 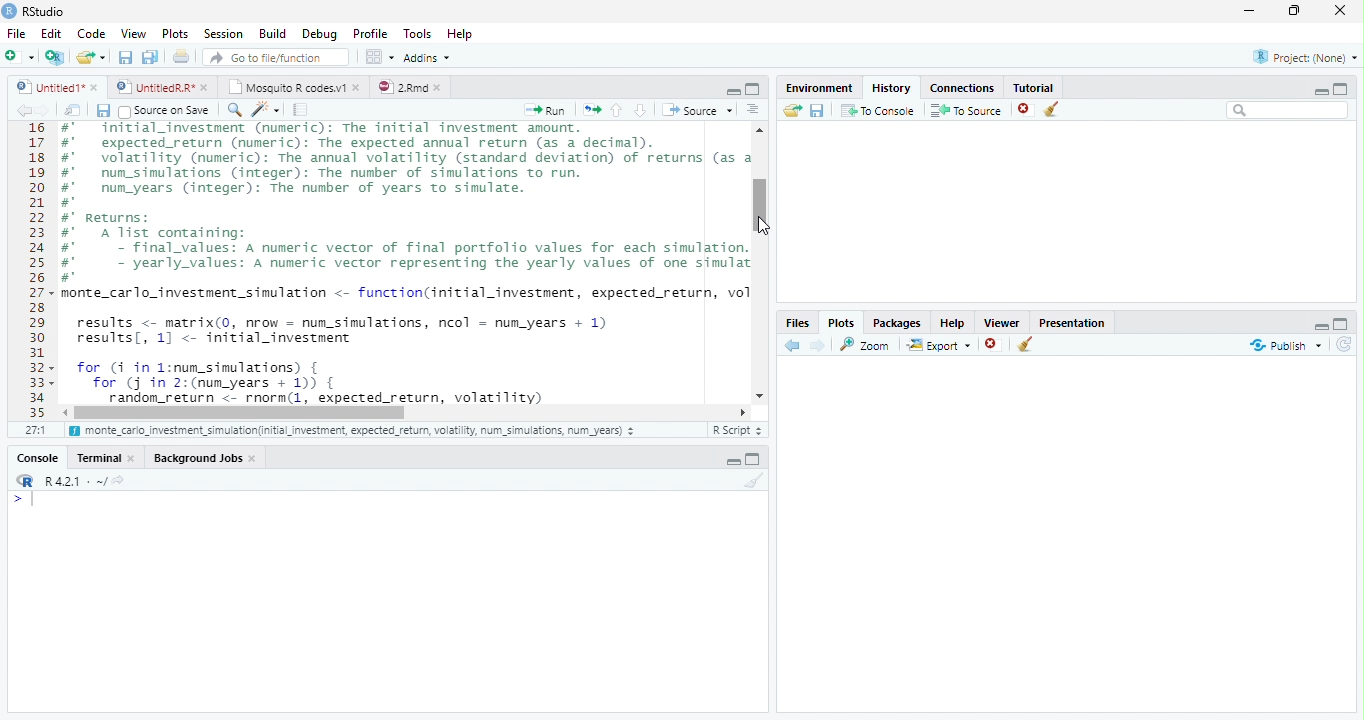 I want to click on RStudio, so click(x=34, y=11).